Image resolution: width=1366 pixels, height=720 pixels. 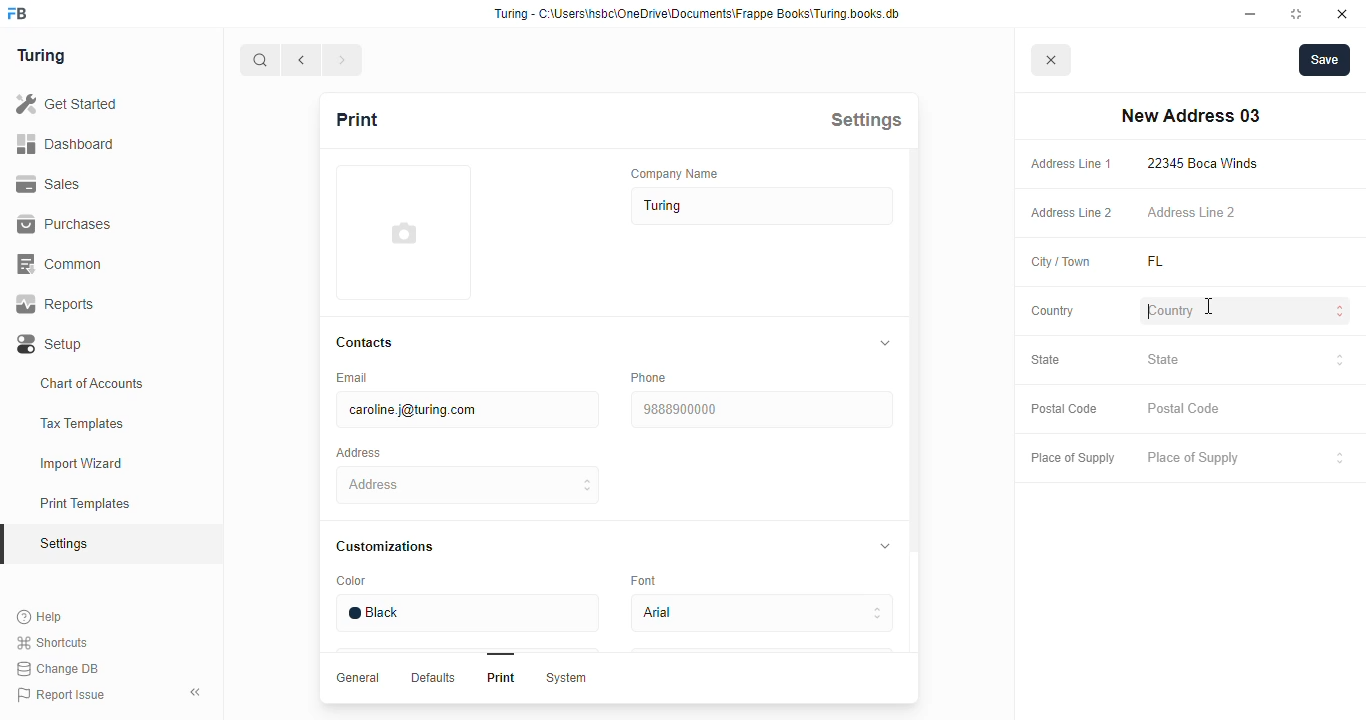 What do you see at coordinates (913, 426) in the screenshot?
I see `scroll bar` at bounding box center [913, 426].